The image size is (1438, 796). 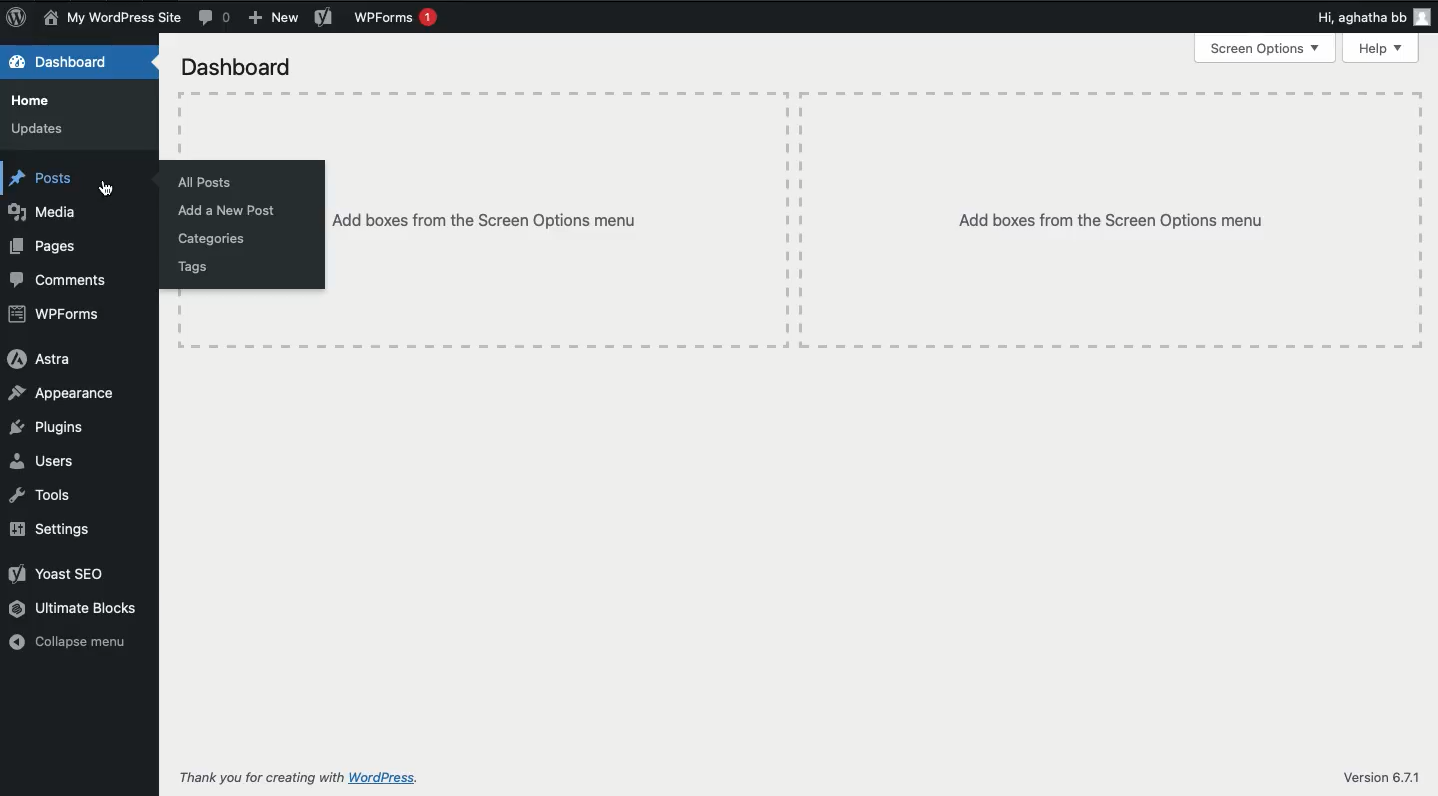 I want to click on Add boxes from the screen options menu, so click(x=1112, y=220).